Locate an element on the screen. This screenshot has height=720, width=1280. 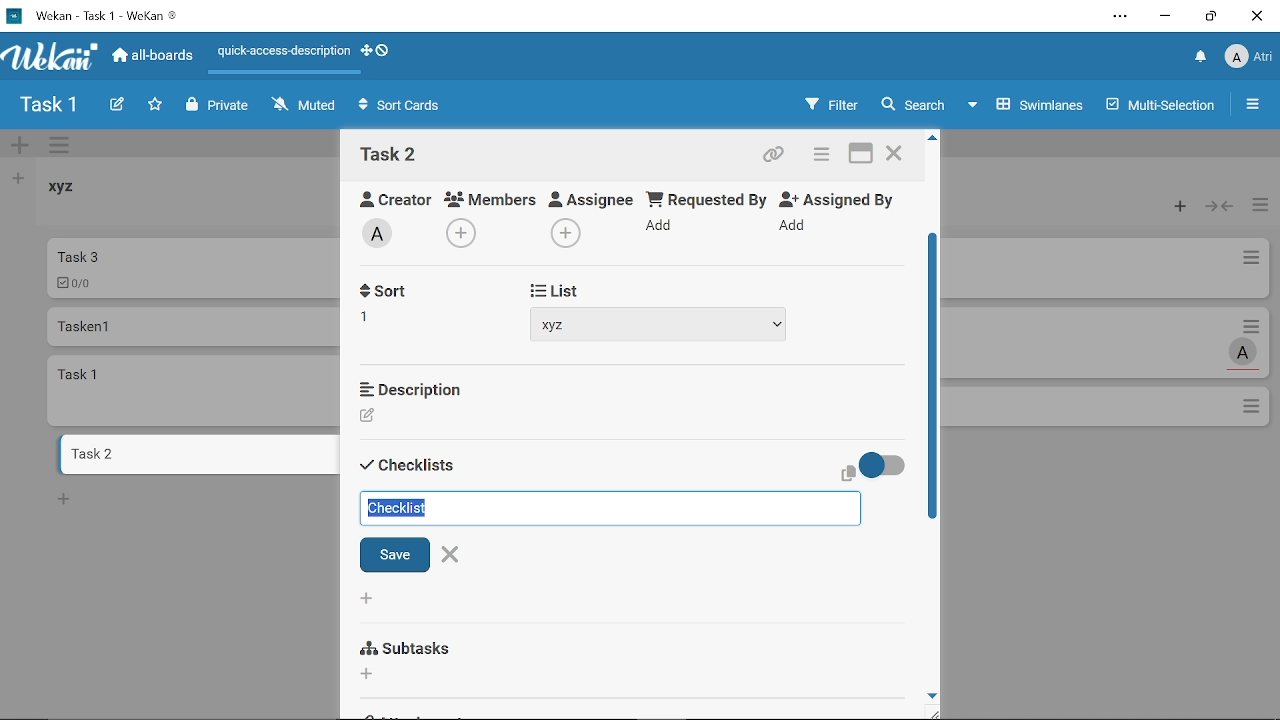
Close is located at coordinates (455, 556).